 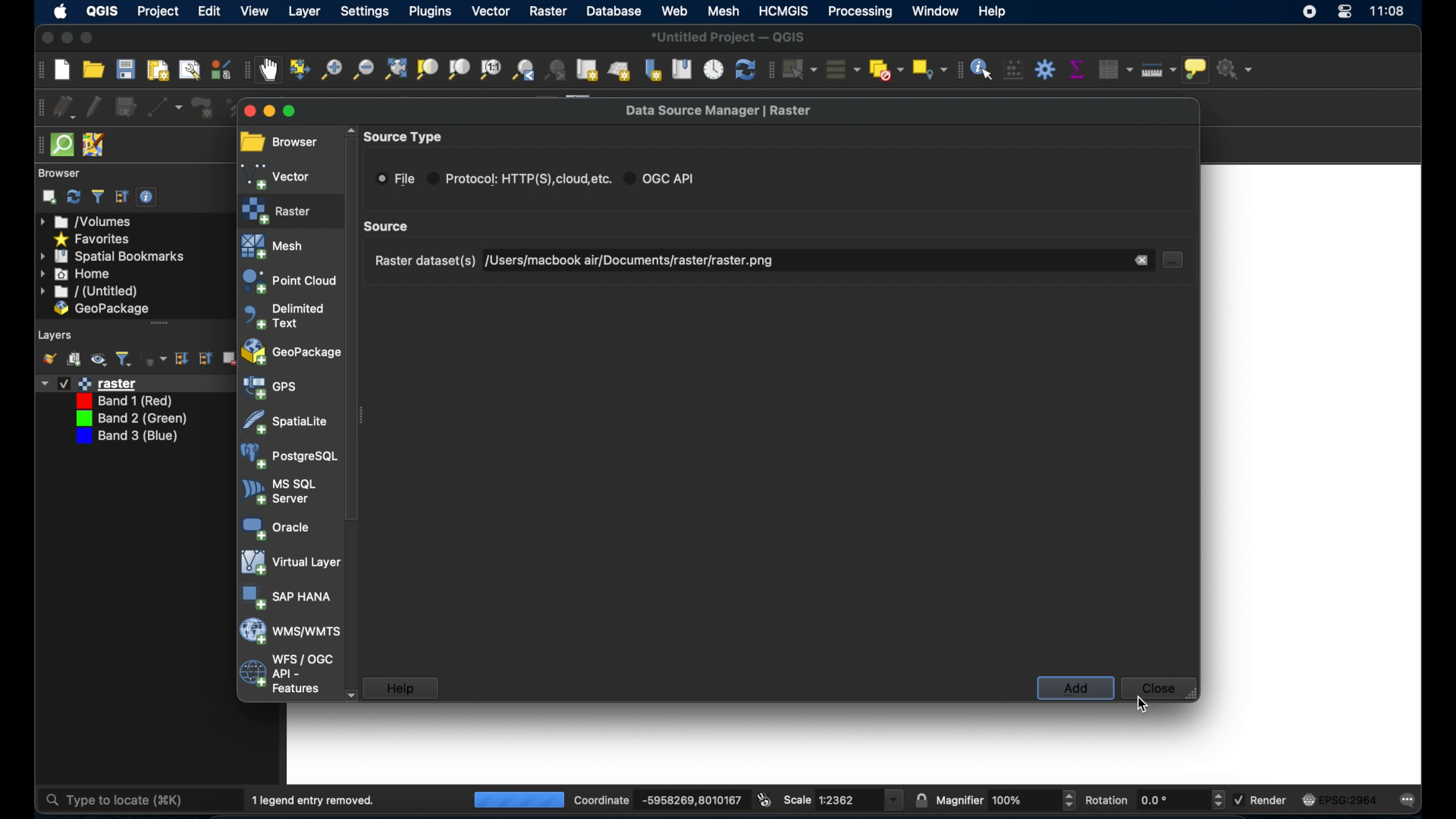 I want to click on zoom in, so click(x=331, y=69).